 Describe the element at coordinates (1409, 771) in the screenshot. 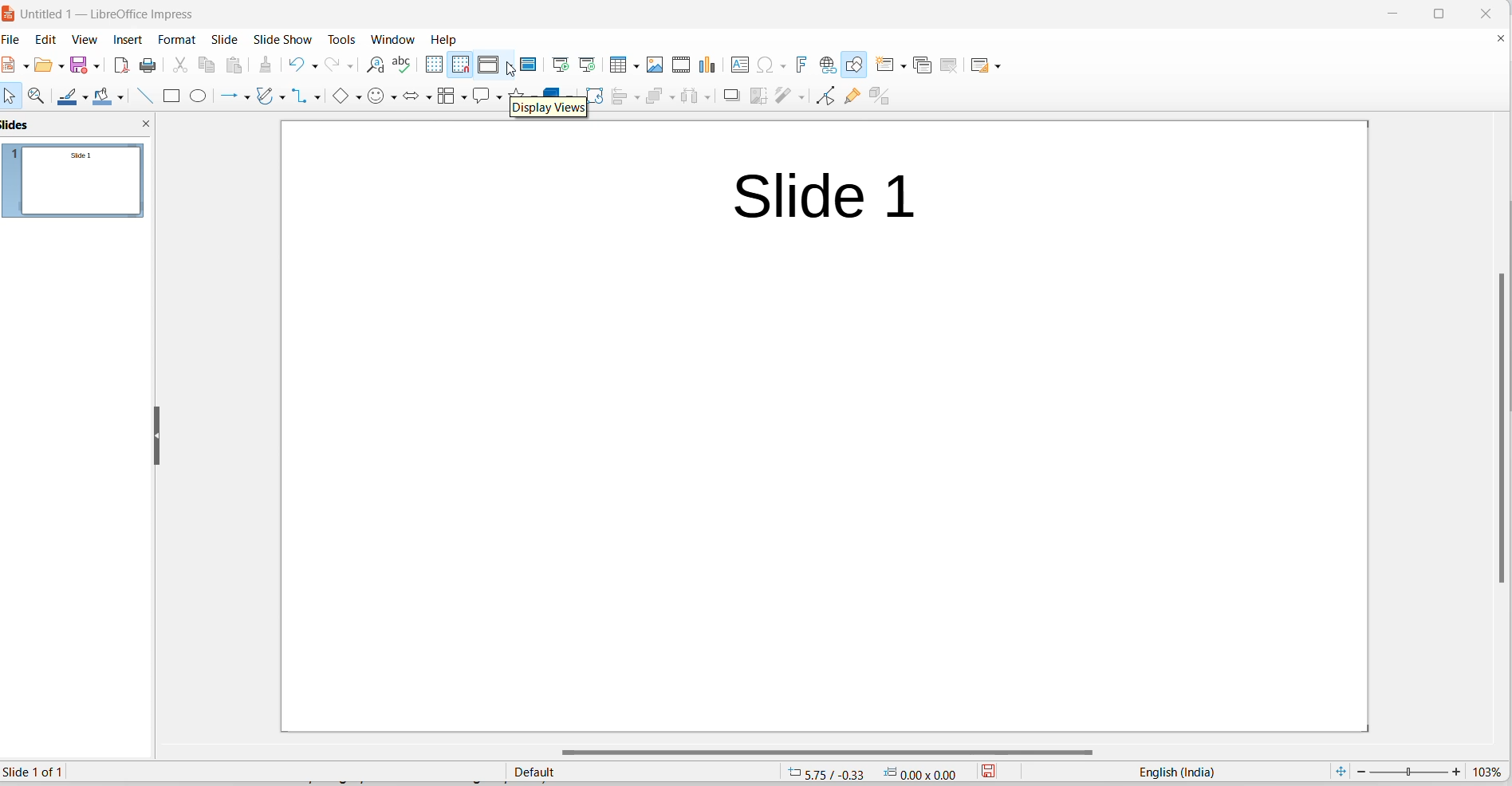

I see `zoom slider` at that location.